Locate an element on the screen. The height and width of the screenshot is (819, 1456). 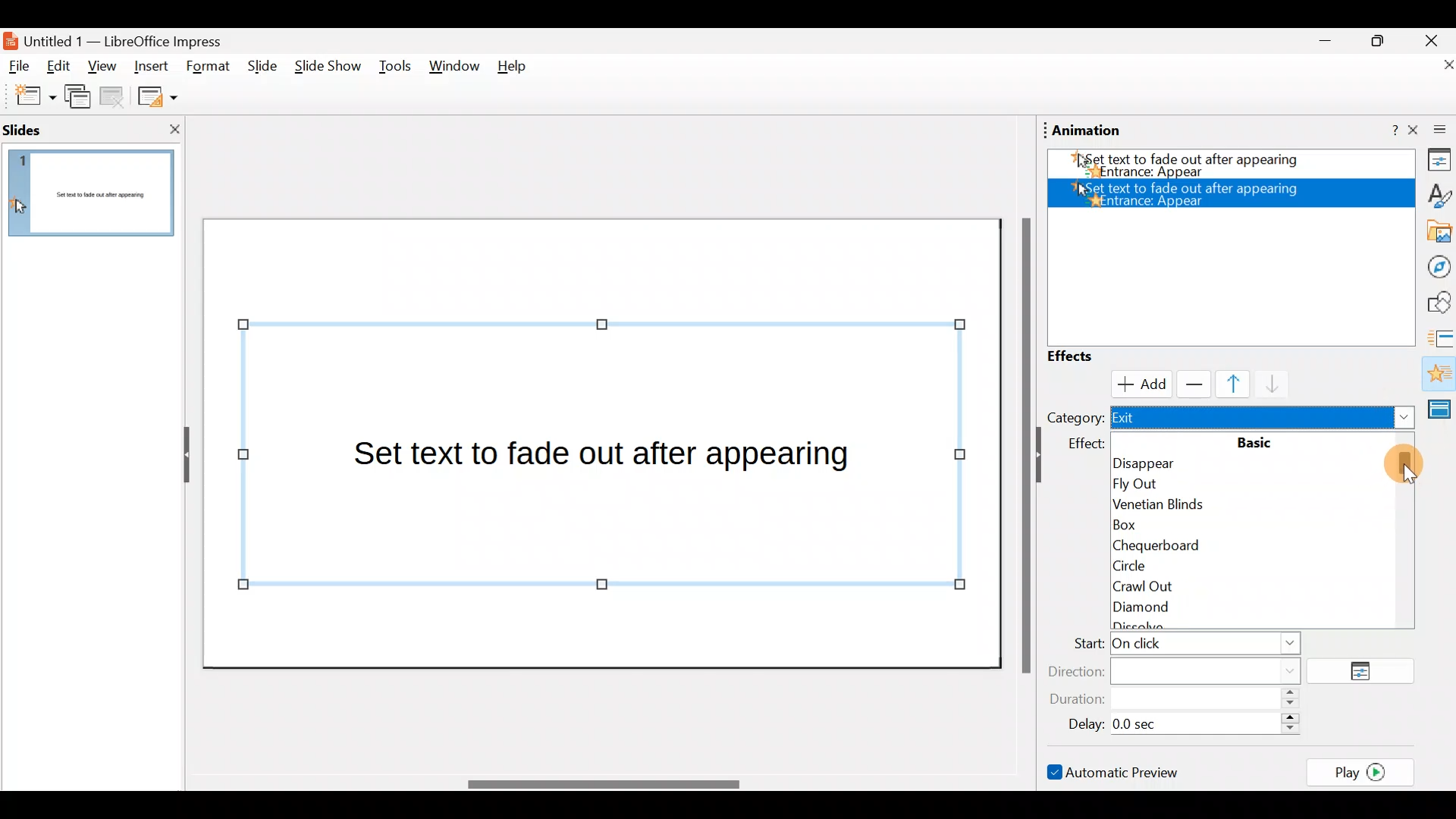
Slides is located at coordinates (49, 129).